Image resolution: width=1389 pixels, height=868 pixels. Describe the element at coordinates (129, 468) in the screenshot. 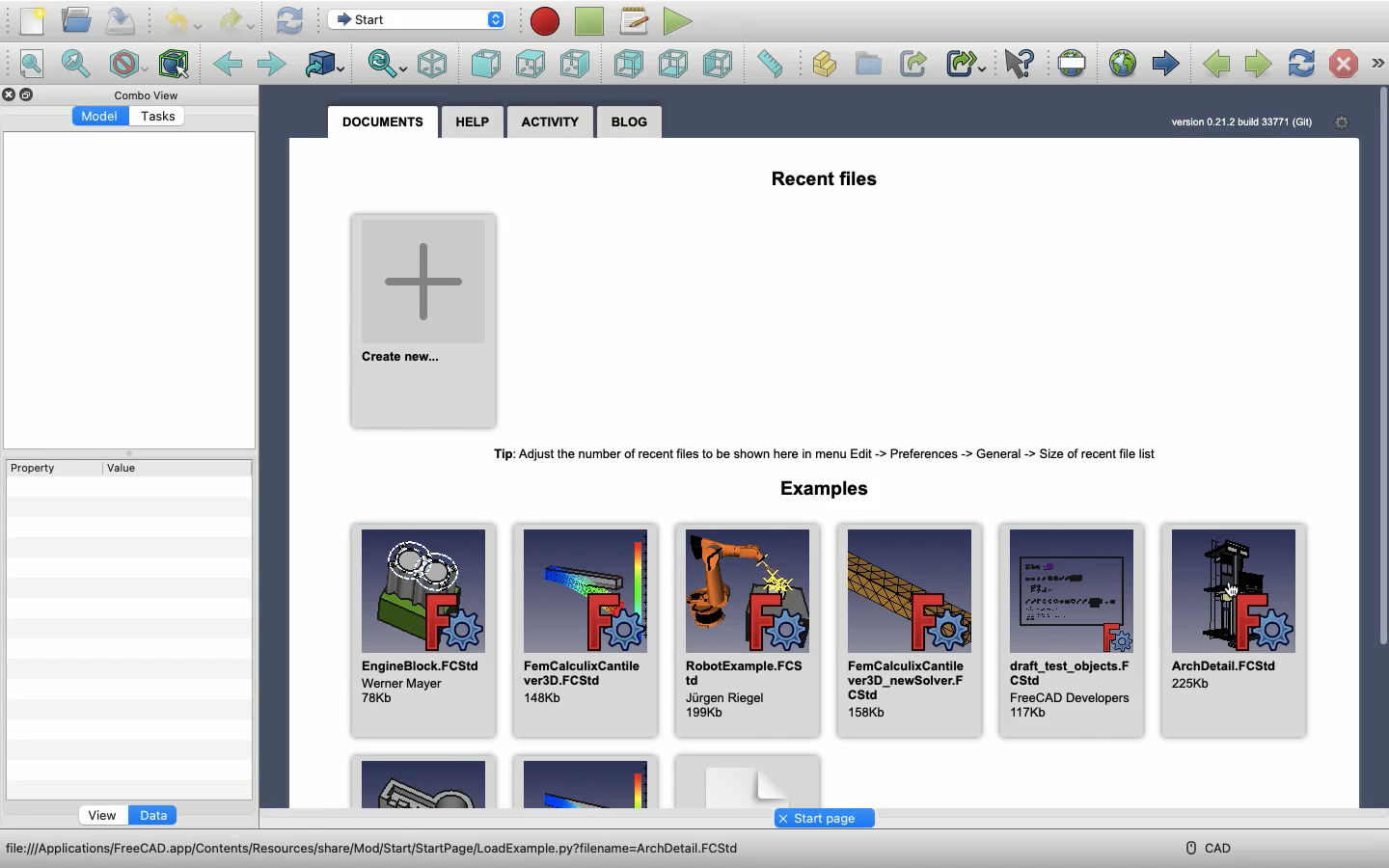

I see `Value` at that location.